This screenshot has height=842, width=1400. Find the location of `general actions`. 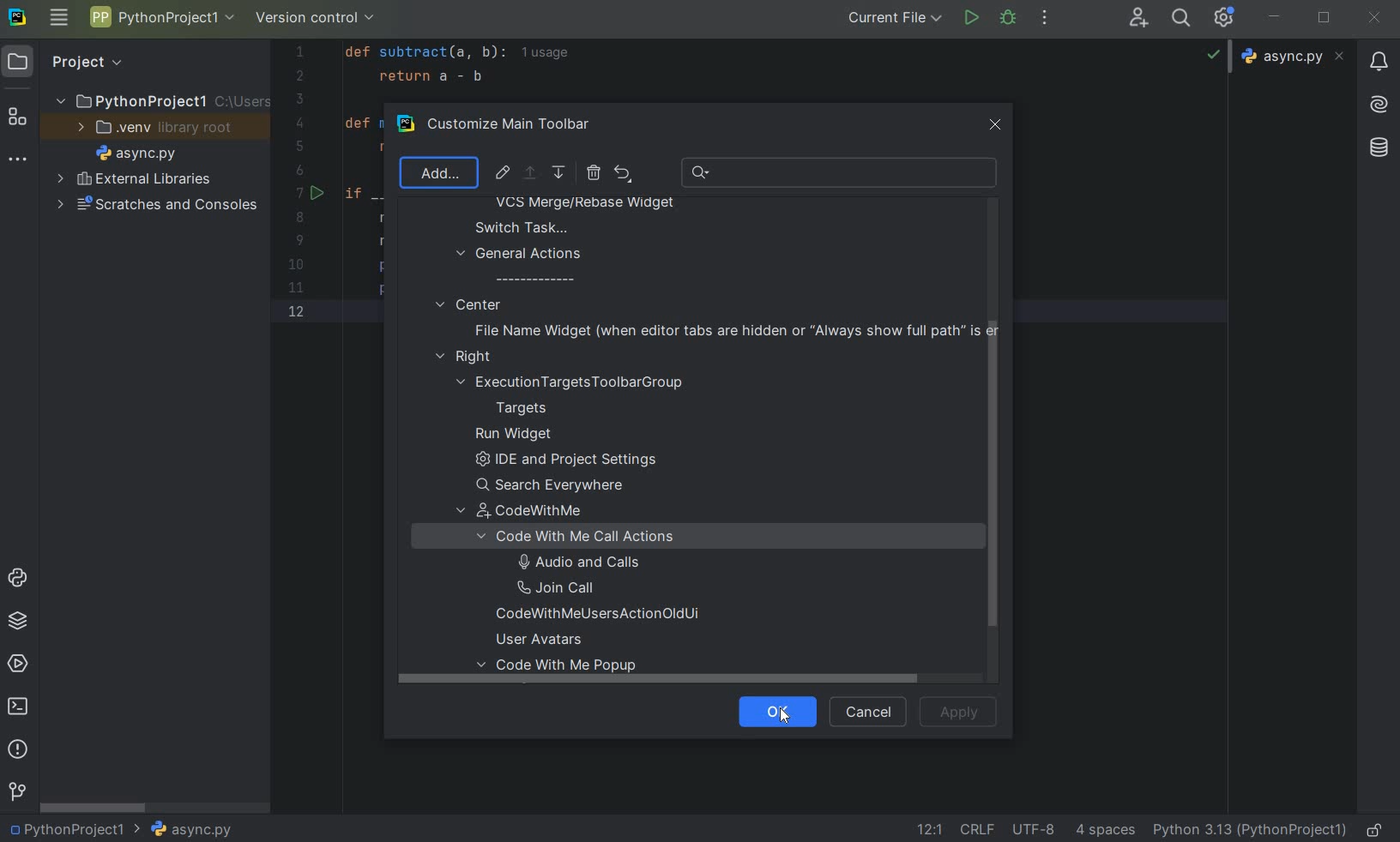

general actions is located at coordinates (520, 266).